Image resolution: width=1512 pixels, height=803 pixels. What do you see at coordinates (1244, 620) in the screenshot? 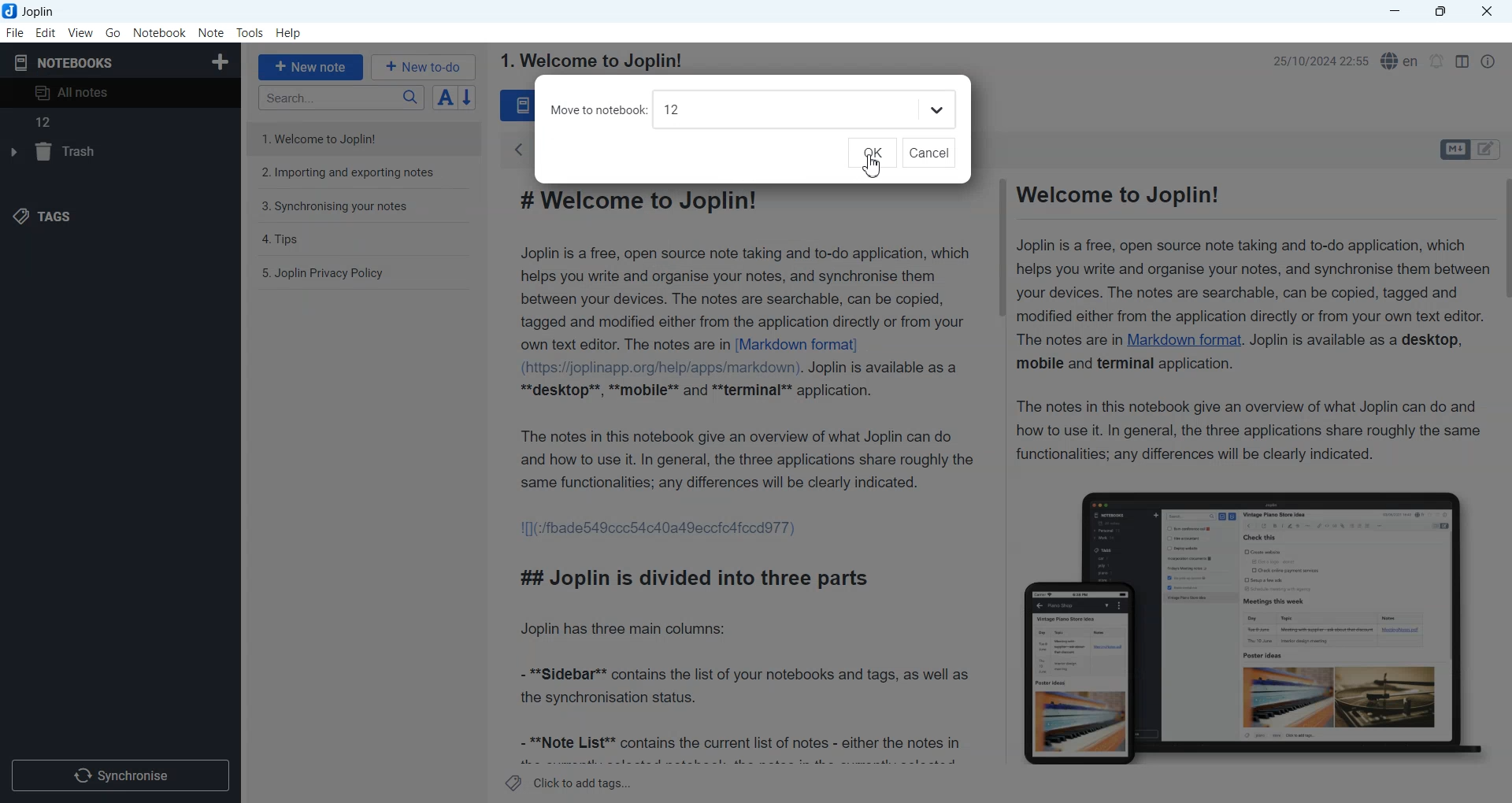
I see `Figure` at bounding box center [1244, 620].